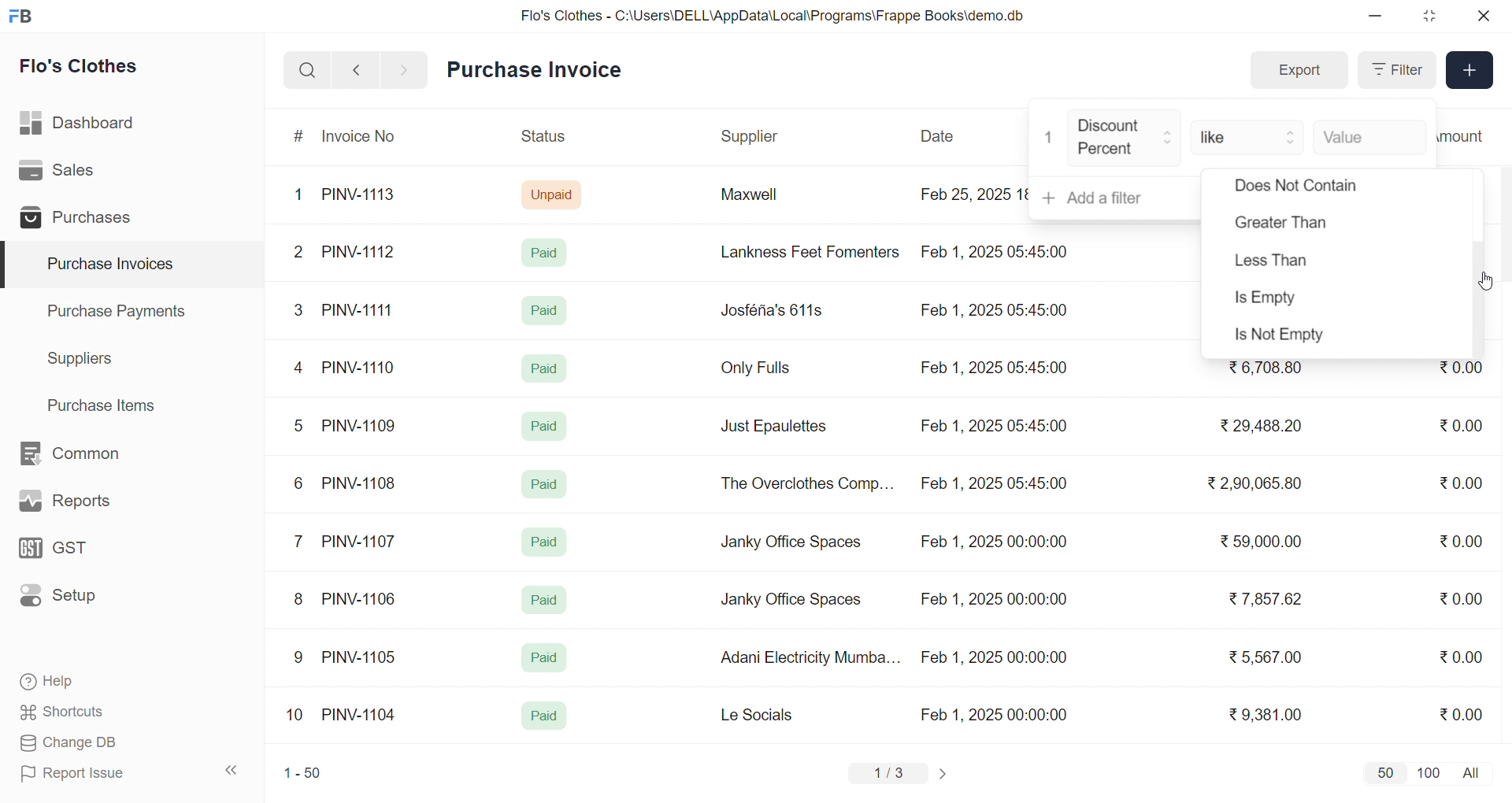 The width and height of the screenshot is (1512, 803). I want to click on Paid, so click(548, 252).